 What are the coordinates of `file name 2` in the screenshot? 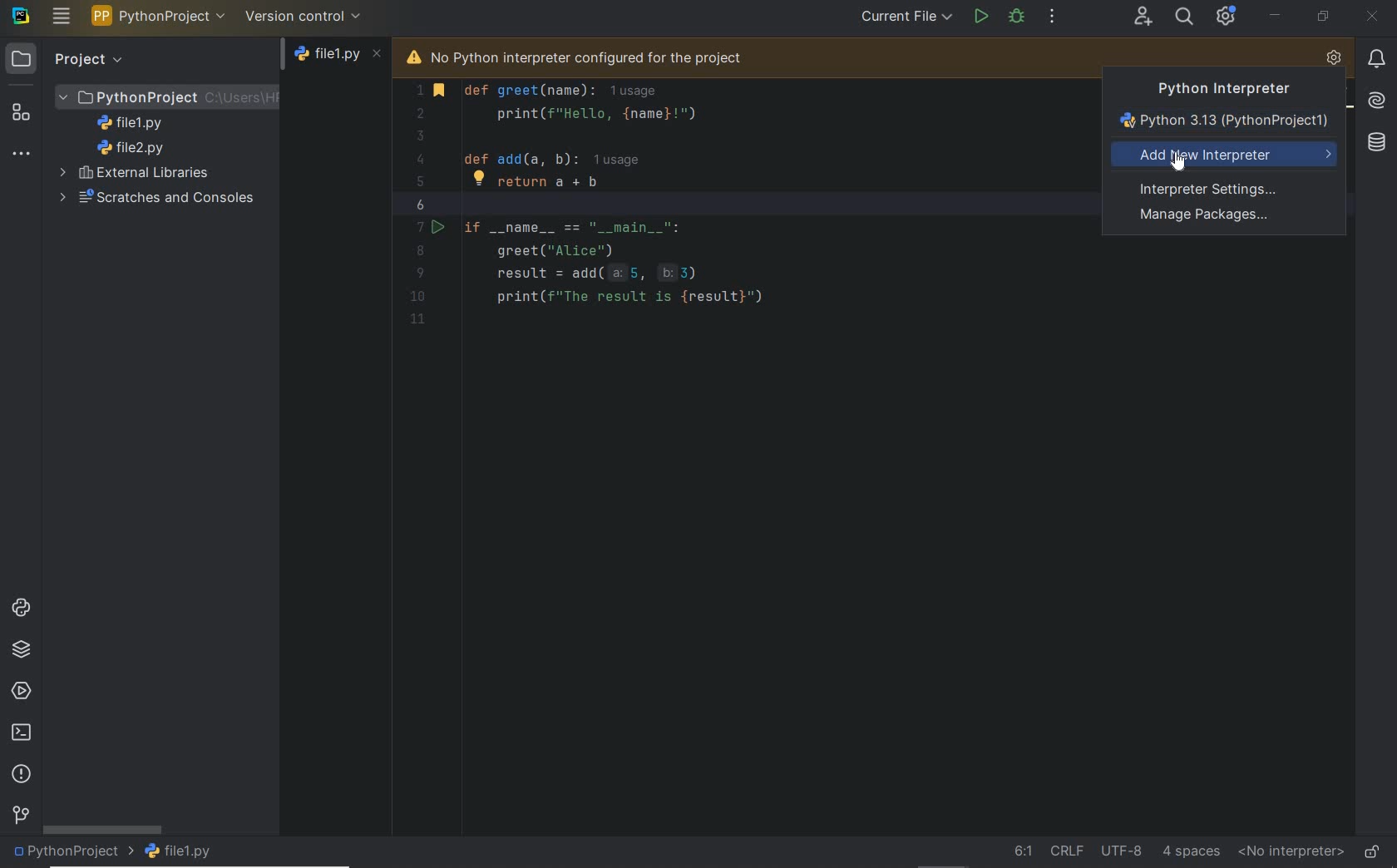 It's located at (131, 148).